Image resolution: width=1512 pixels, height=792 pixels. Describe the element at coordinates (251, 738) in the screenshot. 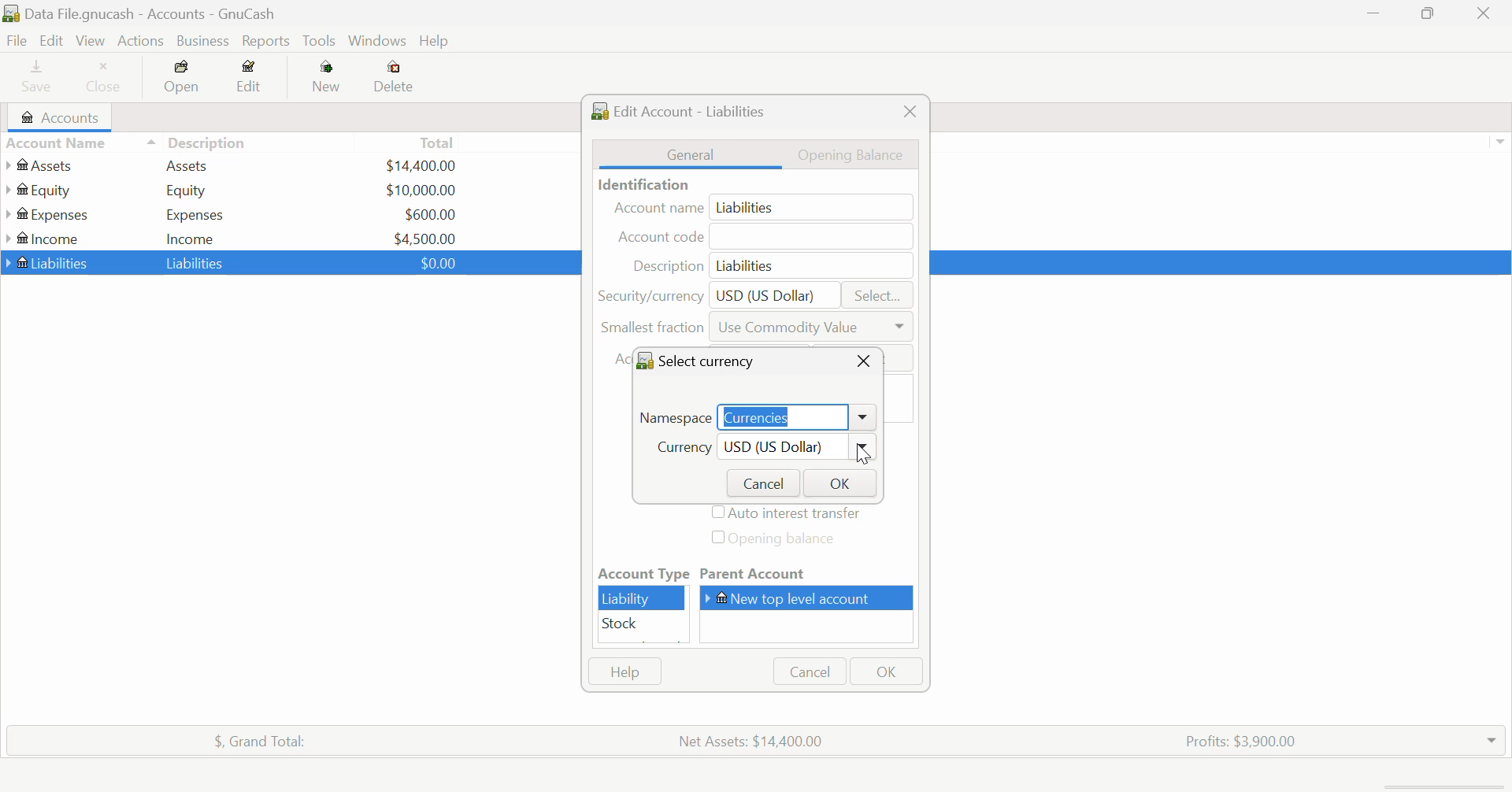

I see `Total` at that location.